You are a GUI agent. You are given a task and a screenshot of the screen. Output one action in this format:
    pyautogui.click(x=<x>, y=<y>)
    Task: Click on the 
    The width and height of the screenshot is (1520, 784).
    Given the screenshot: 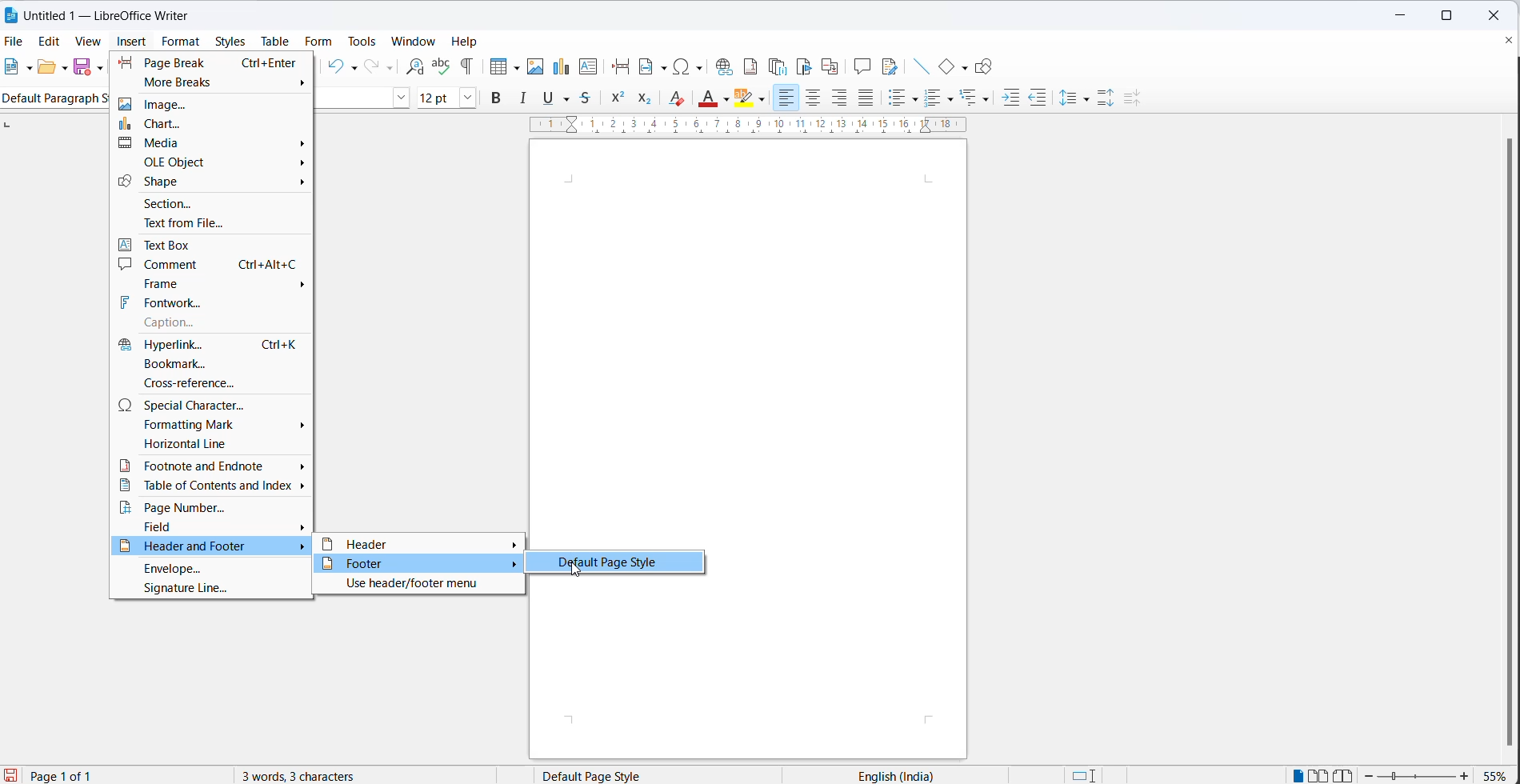 What is the action you would take?
    pyautogui.click(x=215, y=546)
    